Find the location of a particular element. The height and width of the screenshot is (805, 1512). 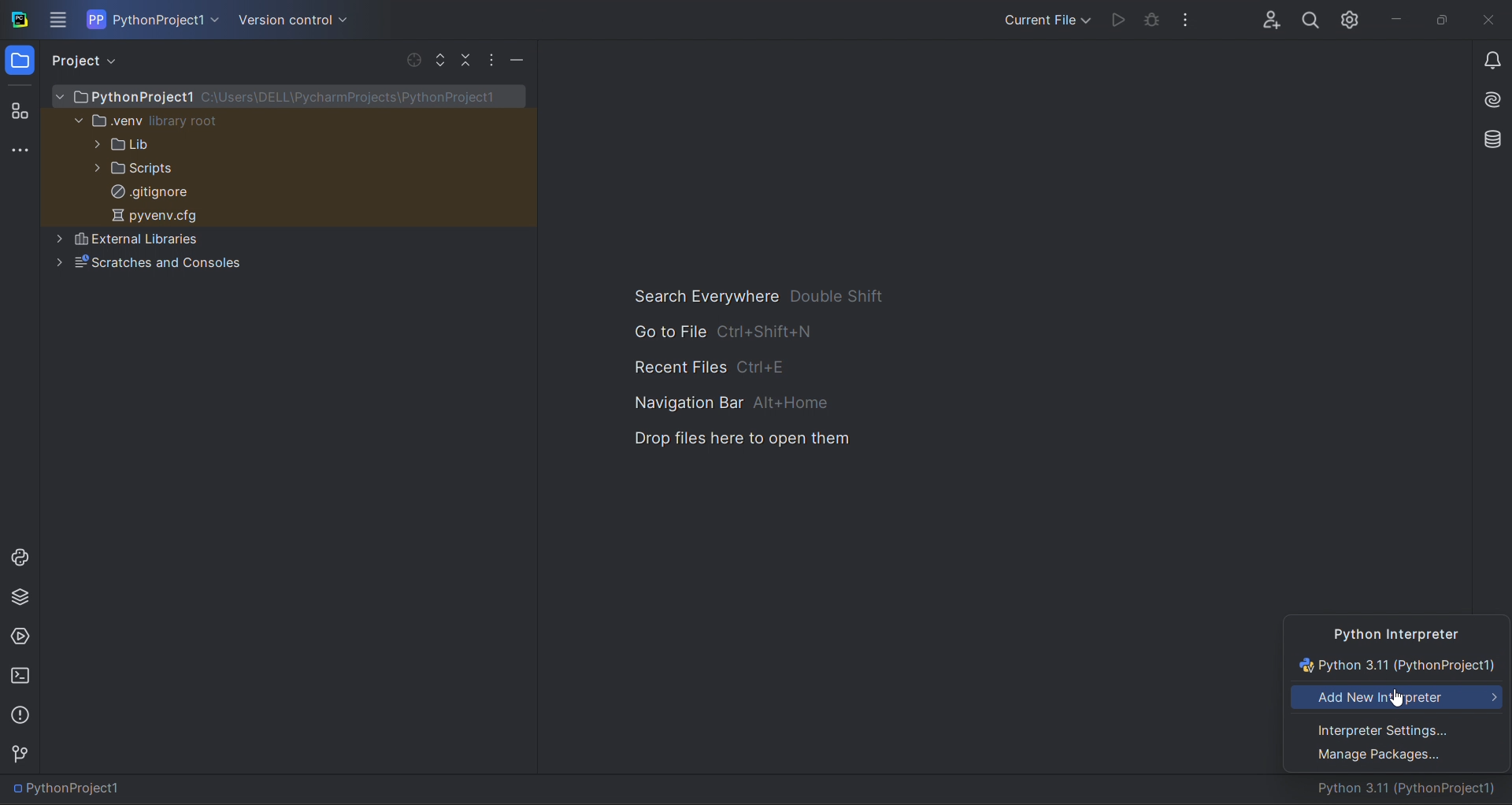

settings is located at coordinates (1352, 17).